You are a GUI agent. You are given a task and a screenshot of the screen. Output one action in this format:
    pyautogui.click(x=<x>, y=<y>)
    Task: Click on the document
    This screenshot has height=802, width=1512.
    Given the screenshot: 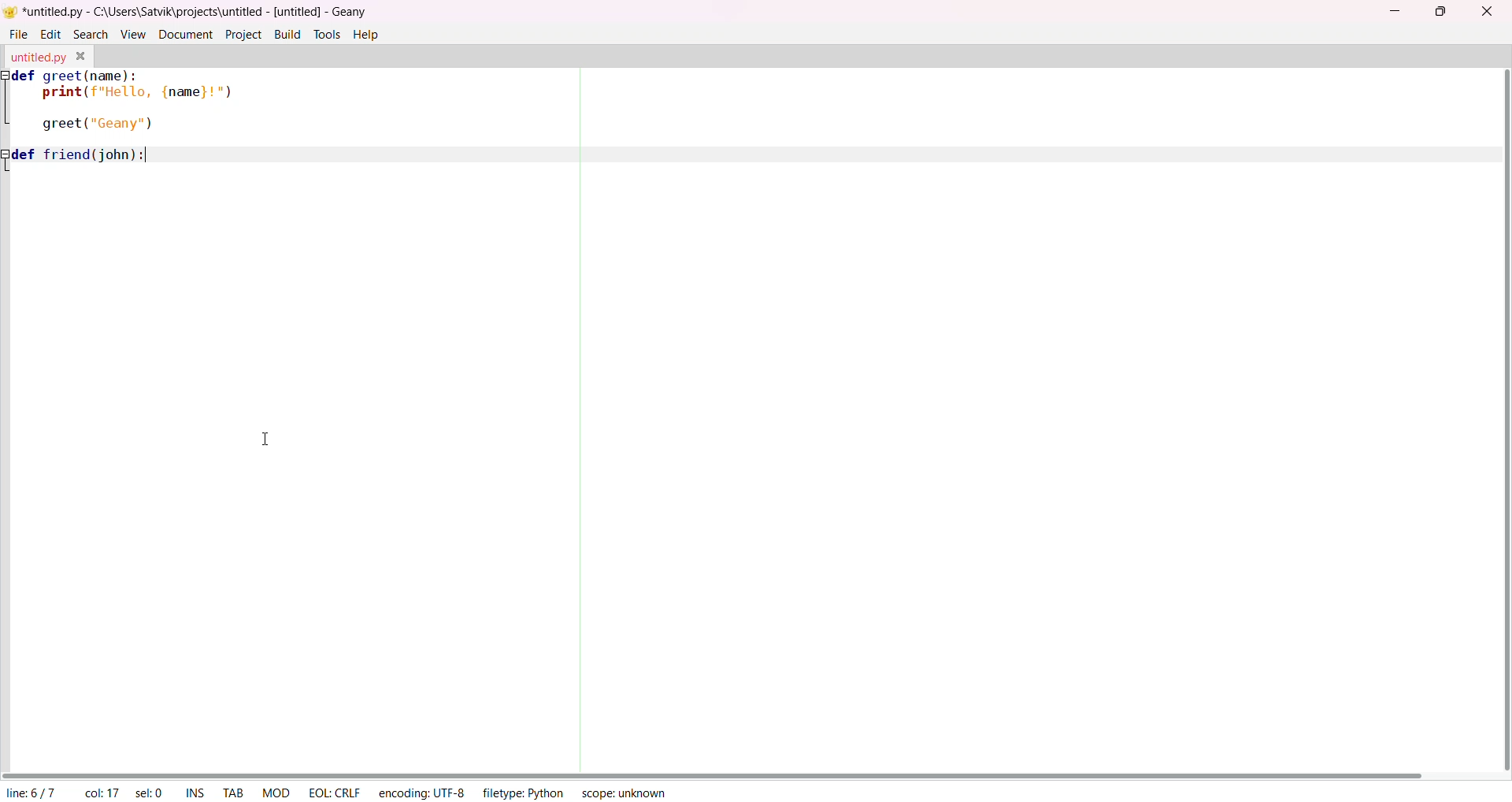 What is the action you would take?
    pyautogui.click(x=187, y=35)
    